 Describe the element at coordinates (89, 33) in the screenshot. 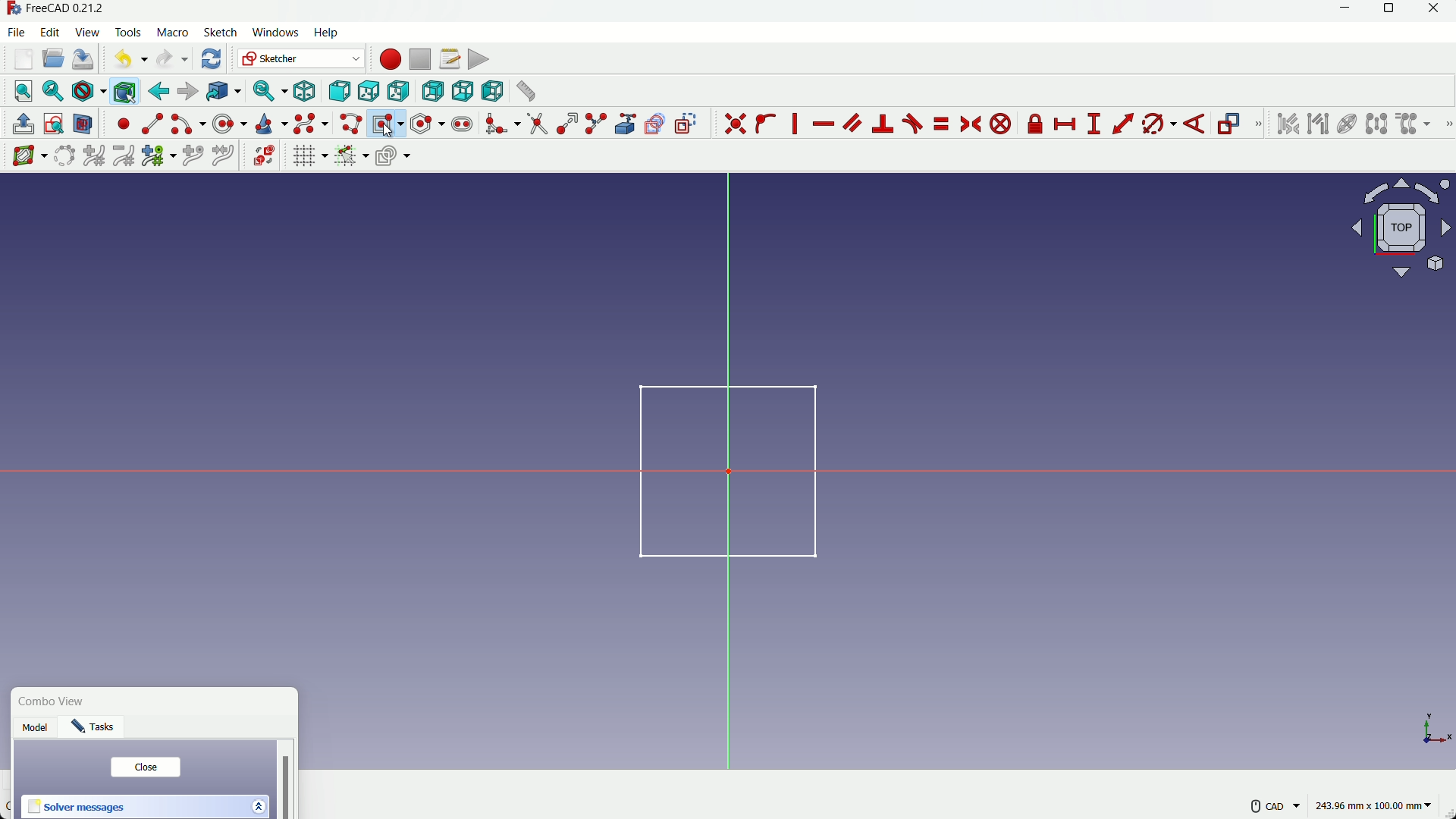

I see `view menu` at that location.